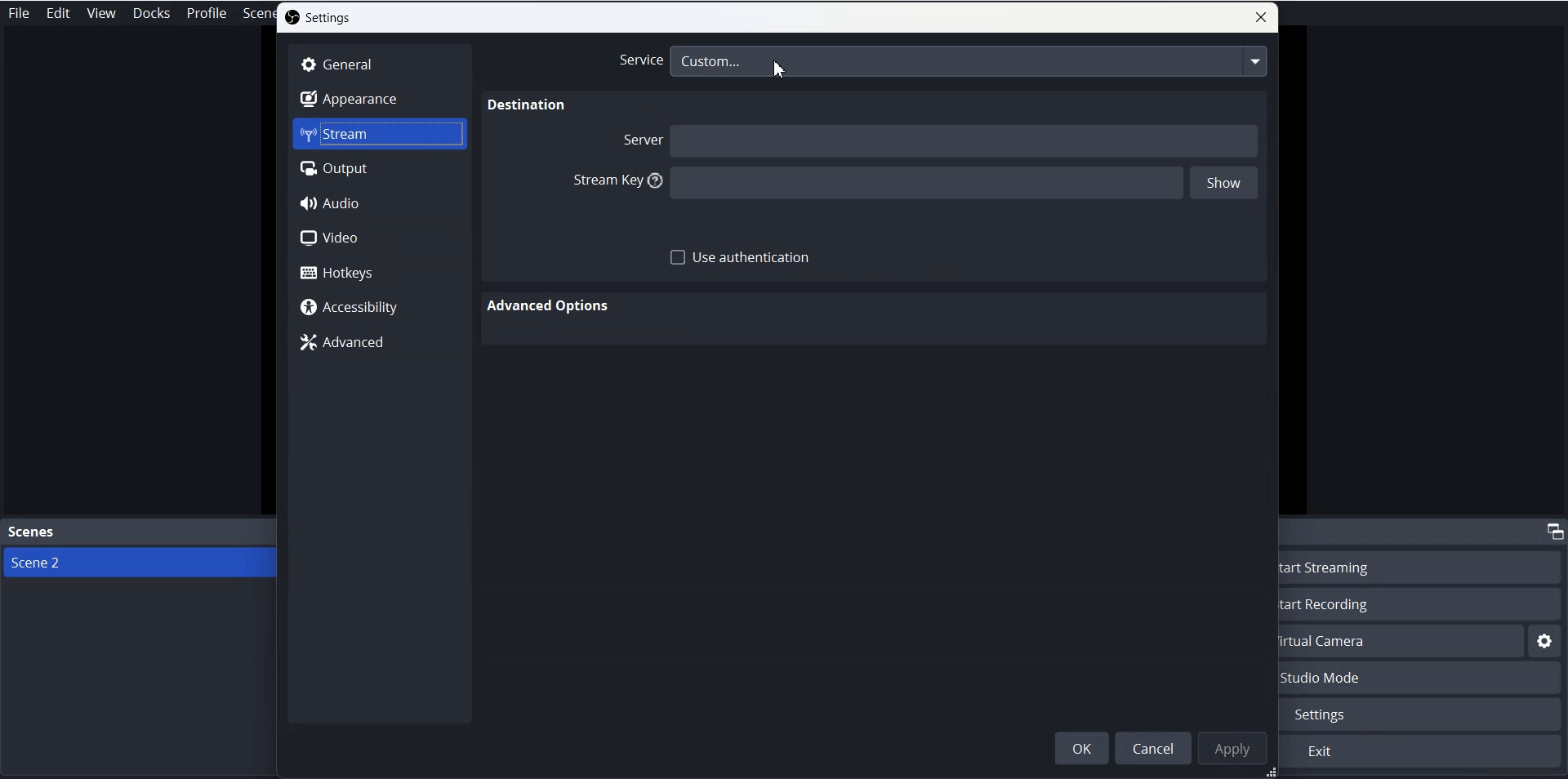 The image size is (1568, 779). I want to click on General, so click(380, 65).